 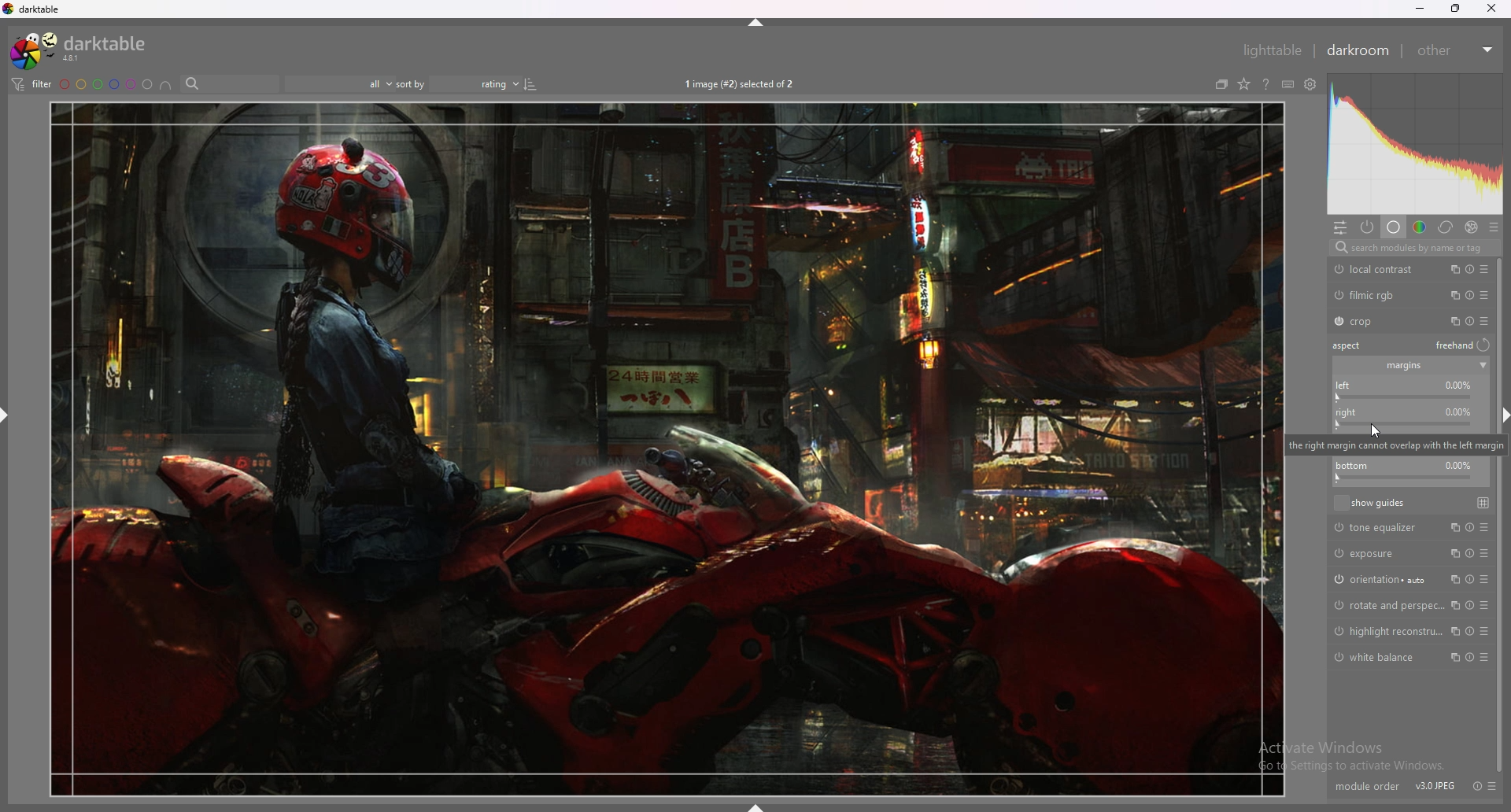 What do you see at coordinates (1465, 346) in the screenshot?
I see `freehand` at bounding box center [1465, 346].